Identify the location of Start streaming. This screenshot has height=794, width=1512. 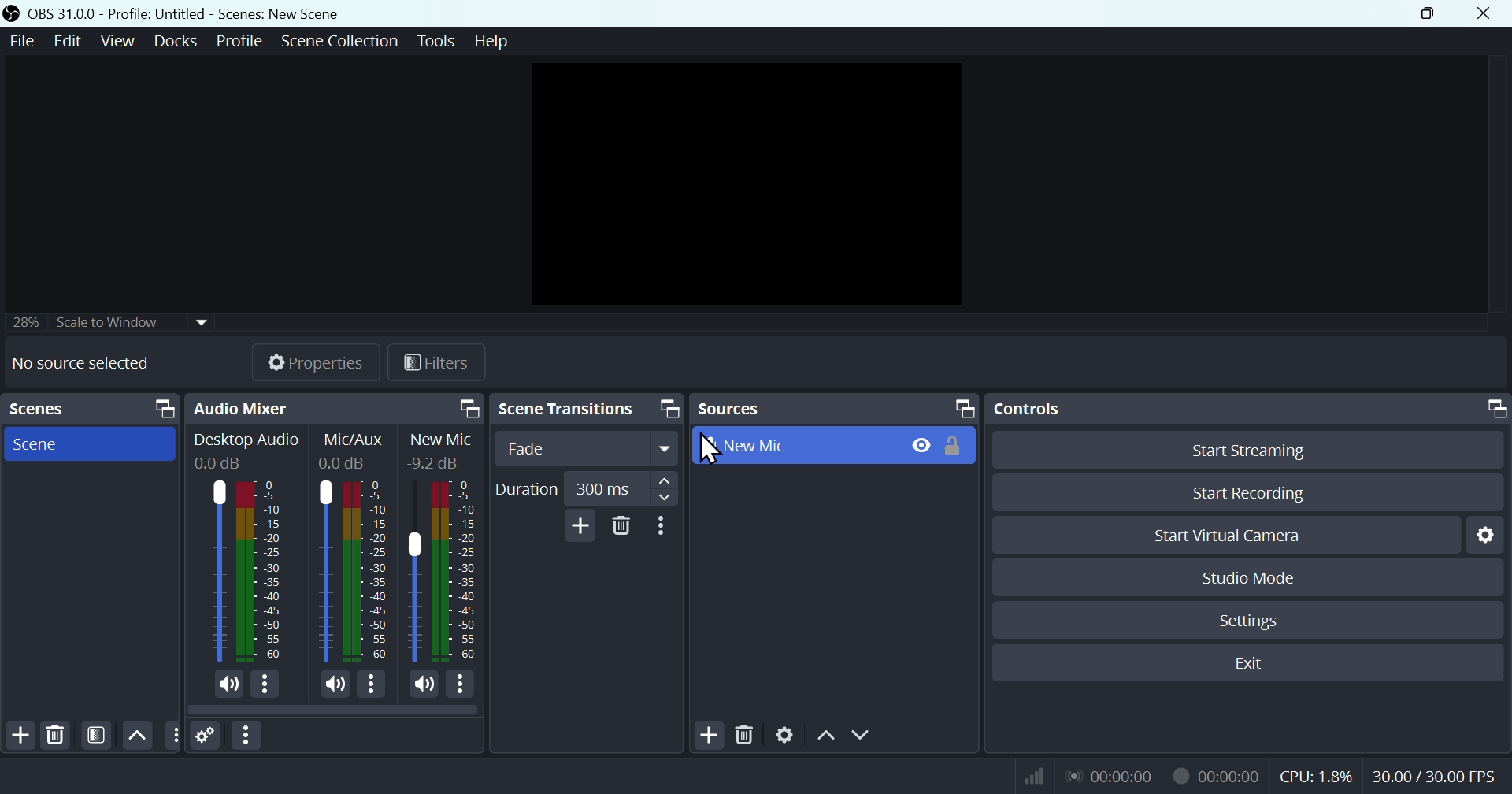
(1250, 448).